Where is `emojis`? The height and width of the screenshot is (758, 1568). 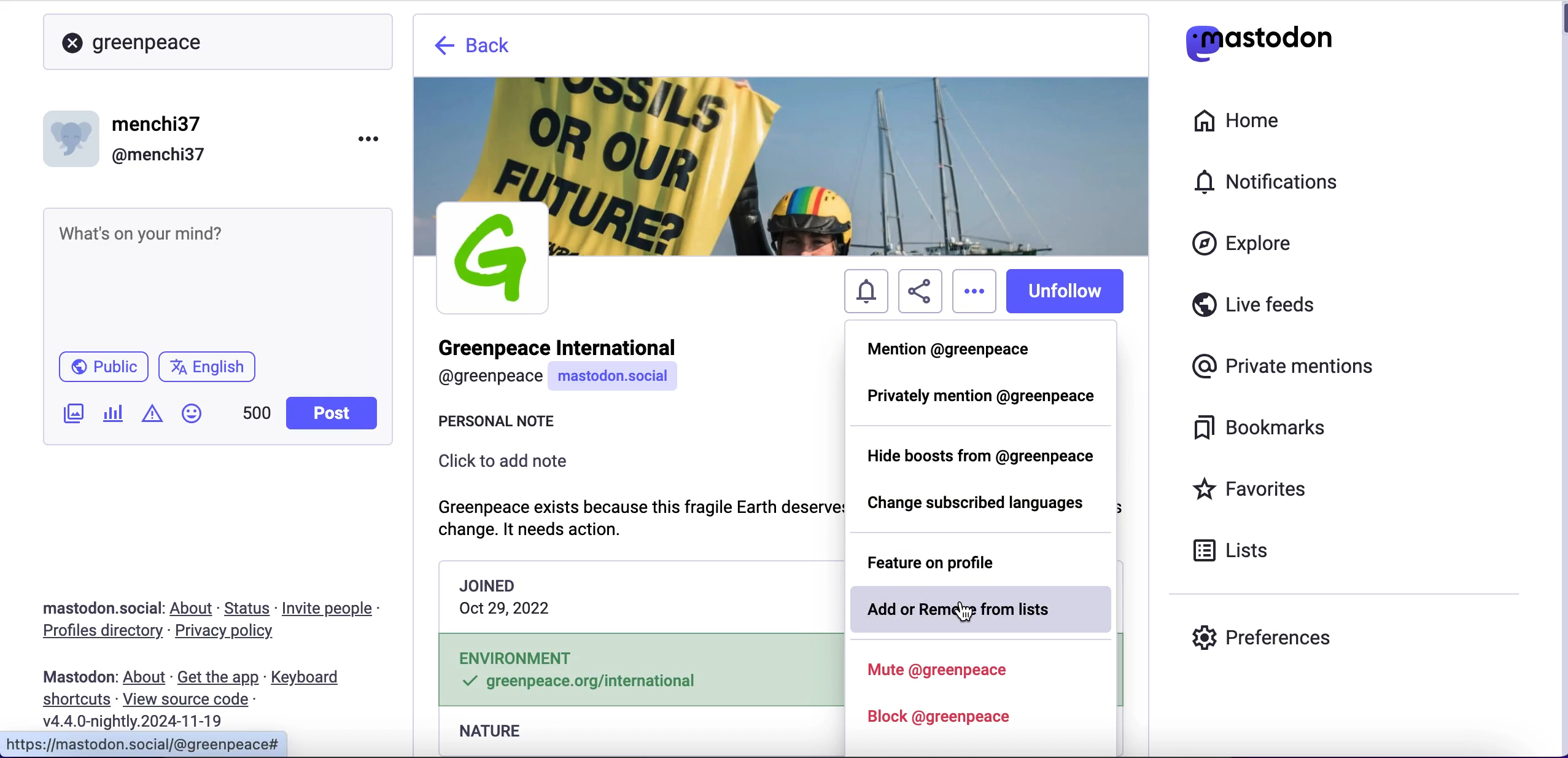 emojis is located at coordinates (197, 420).